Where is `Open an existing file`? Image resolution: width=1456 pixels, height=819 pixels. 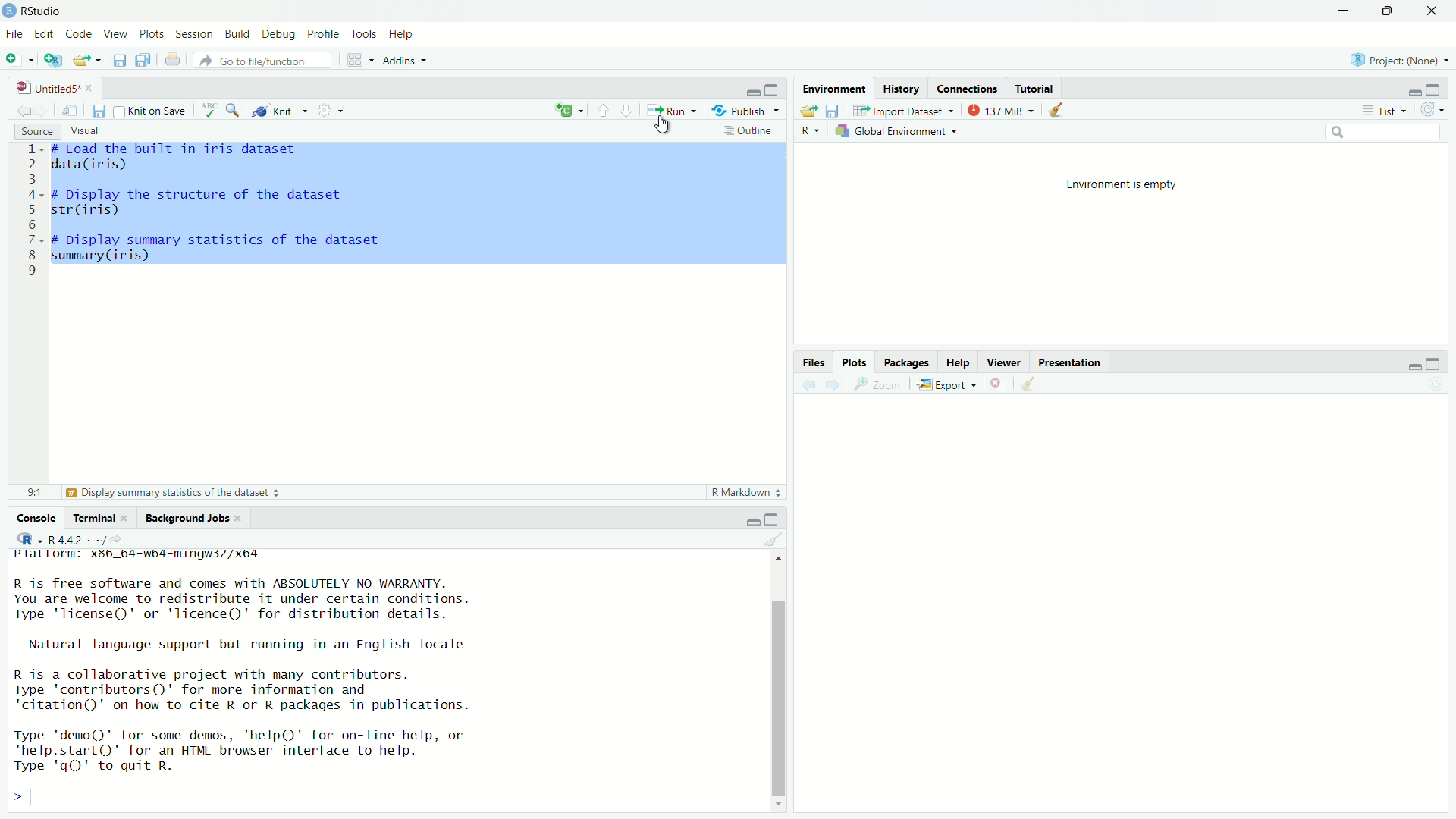
Open an existing file is located at coordinates (87, 61).